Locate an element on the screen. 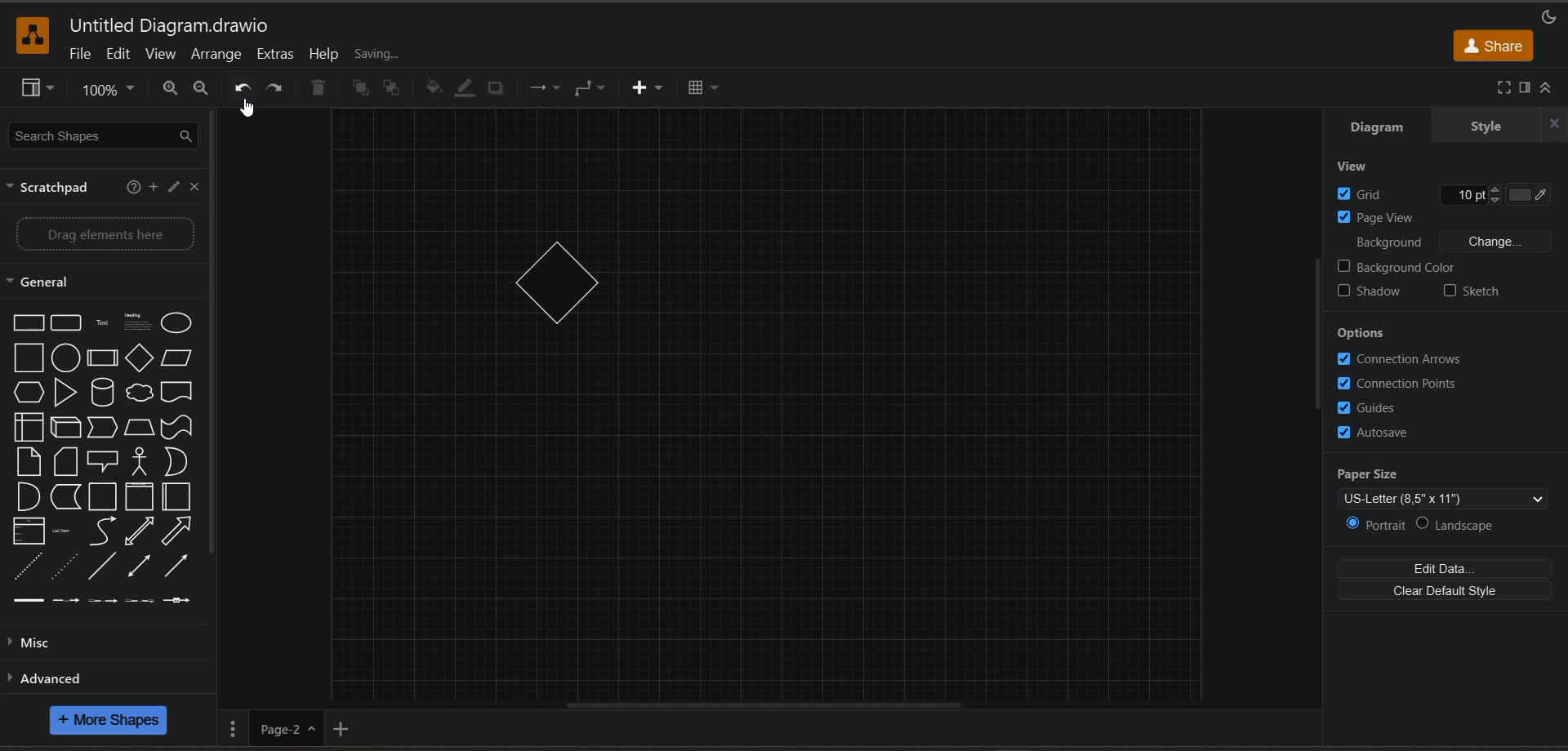 The image size is (1568, 751). shadow is located at coordinates (1371, 292).